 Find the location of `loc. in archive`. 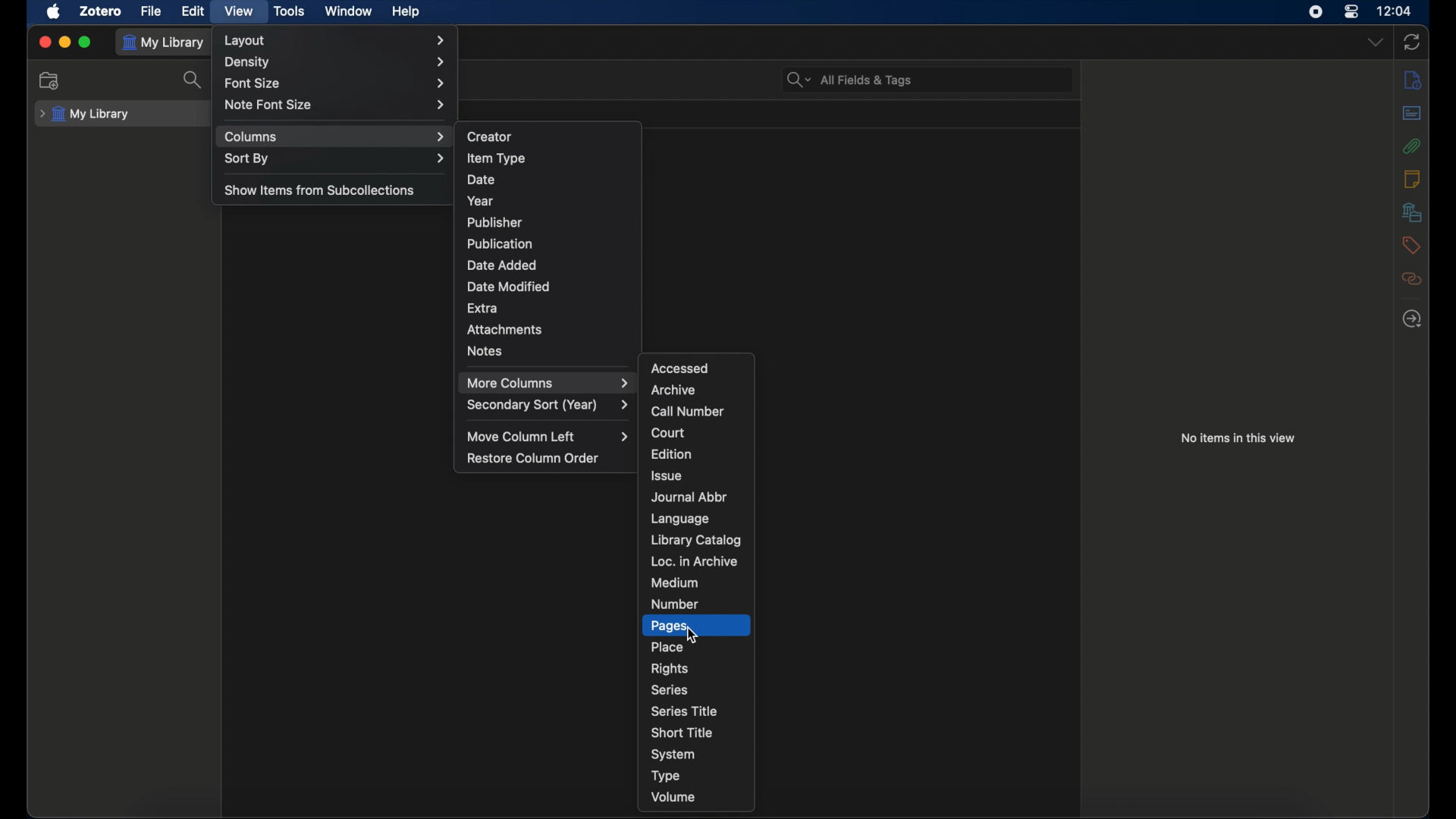

loc. in archive is located at coordinates (695, 560).